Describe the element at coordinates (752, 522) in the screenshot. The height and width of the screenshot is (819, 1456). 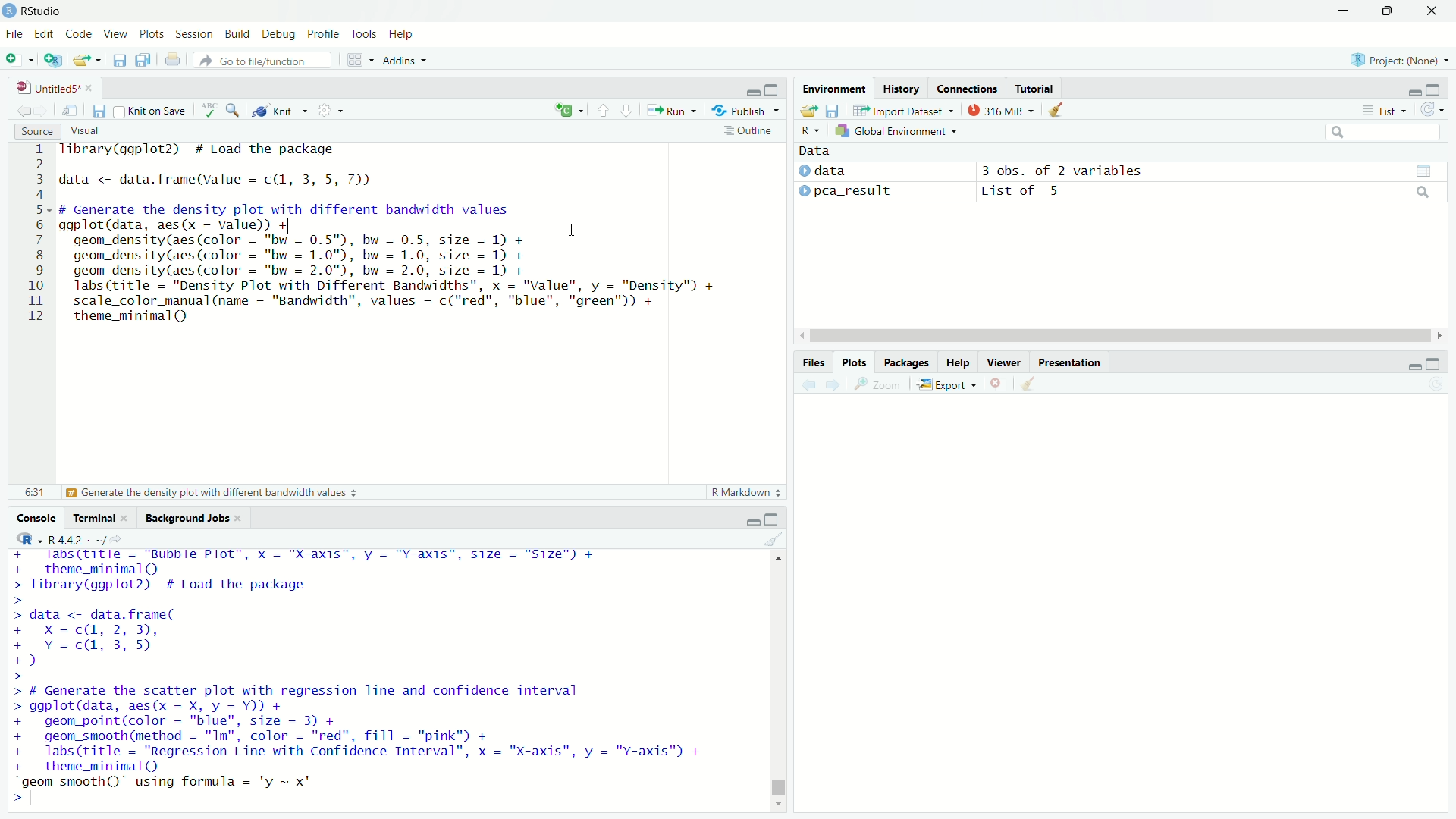
I see `minimize` at that location.